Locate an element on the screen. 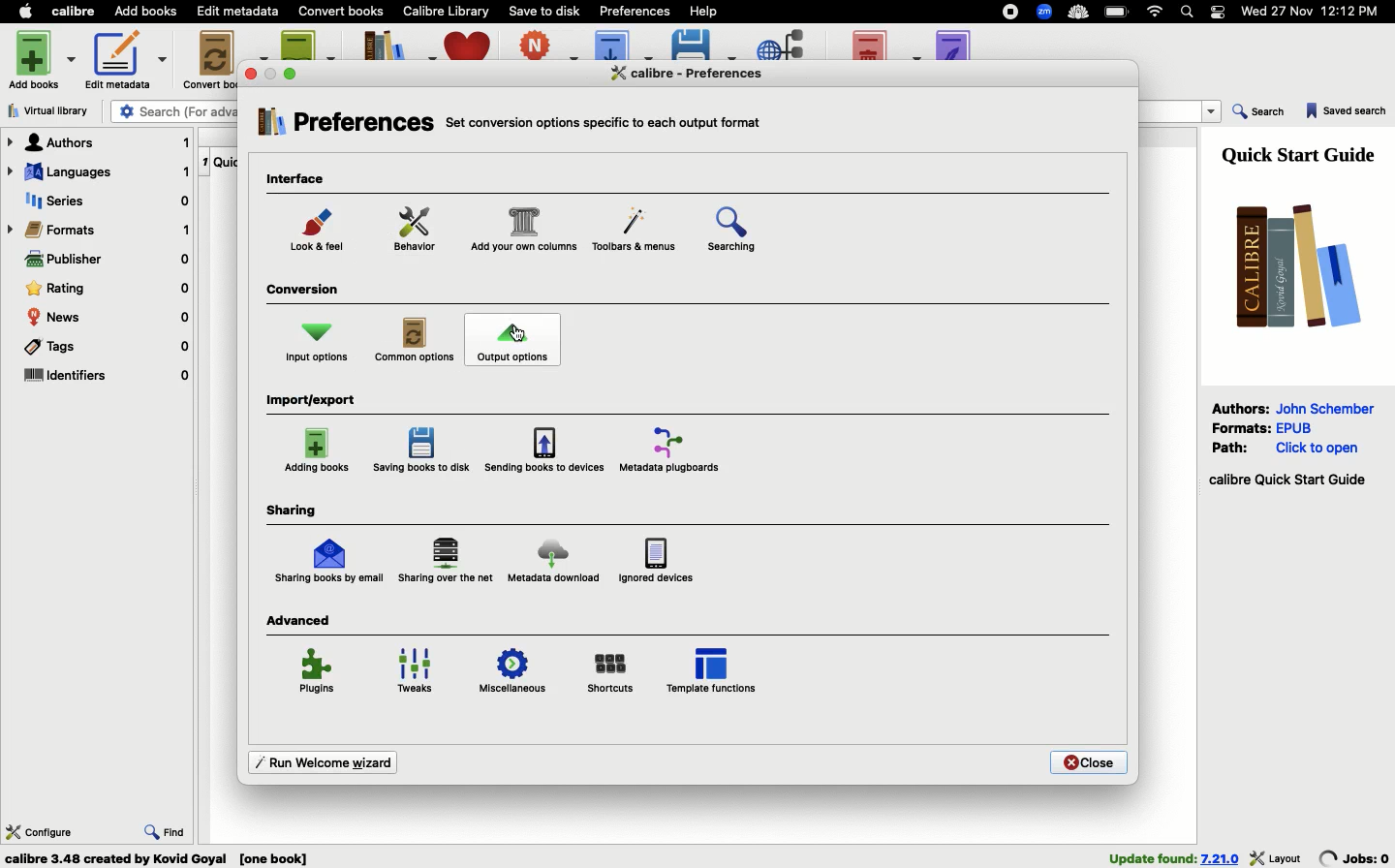 Image resolution: width=1395 pixels, height=868 pixels. Search is located at coordinates (1259, 113).